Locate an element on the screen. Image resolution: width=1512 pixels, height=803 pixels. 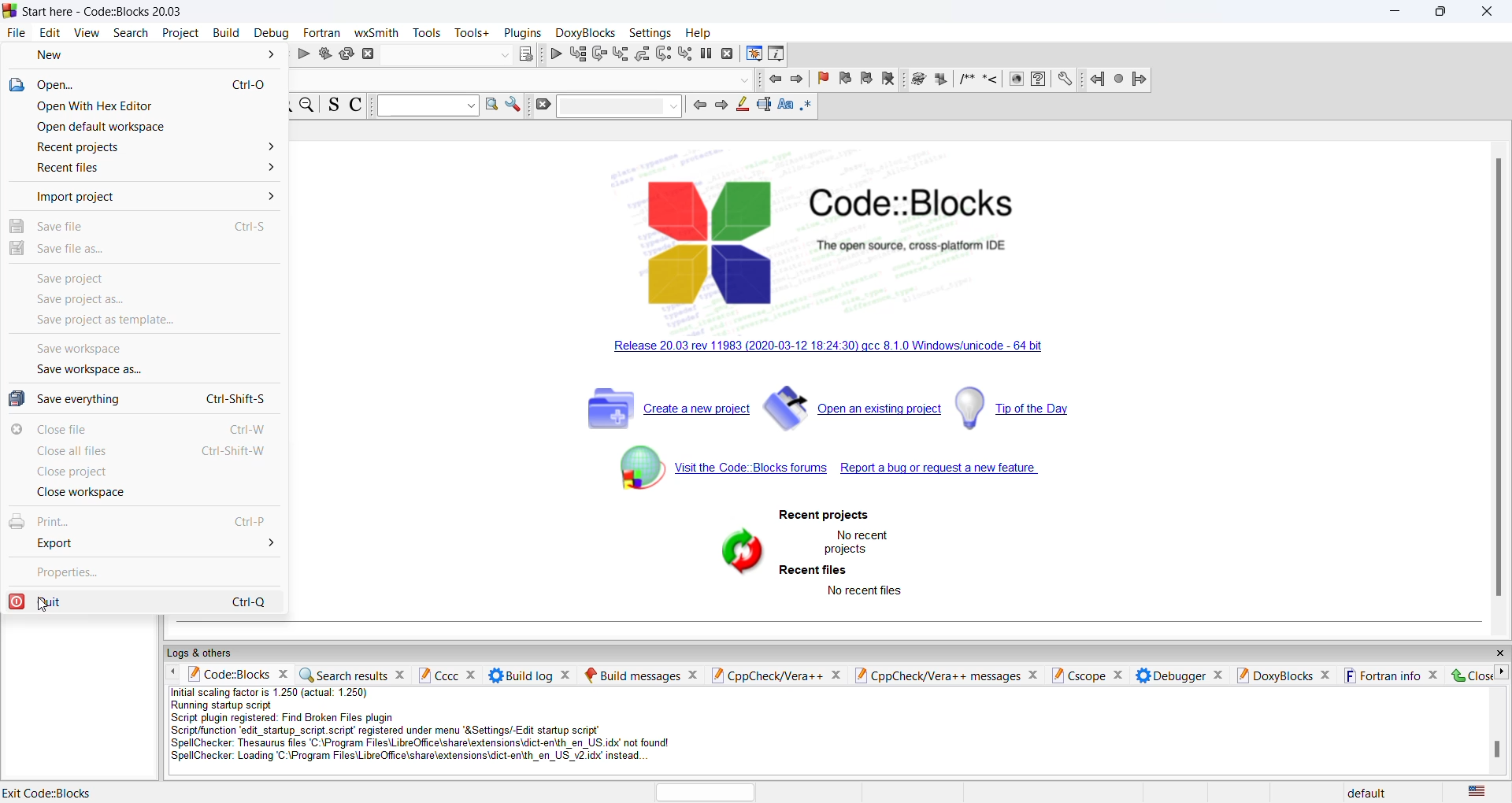
wxsmith is located at coordinates (376, 31).